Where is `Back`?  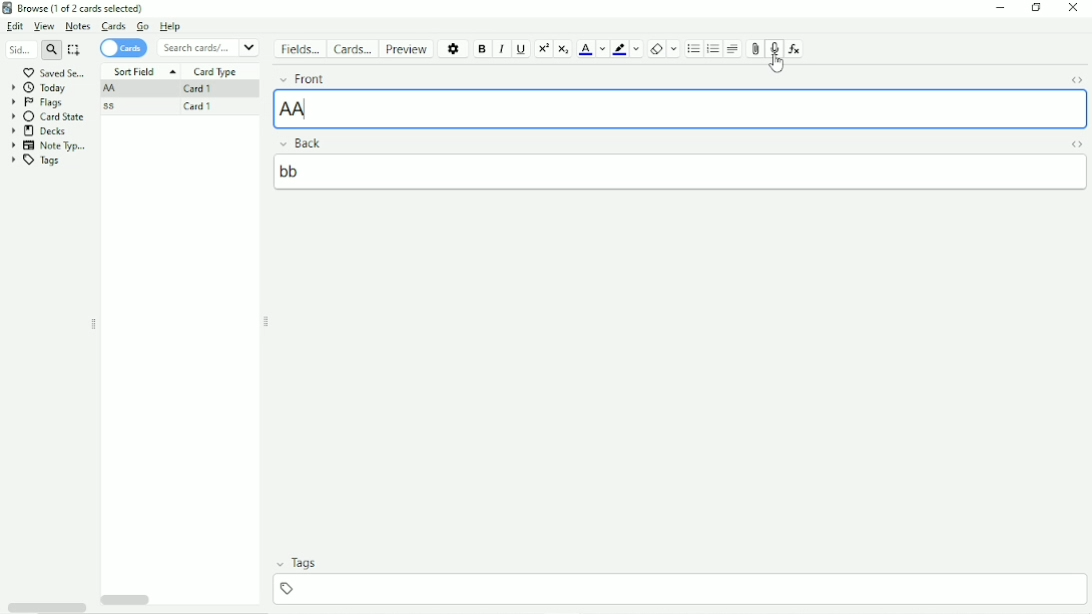 Back is located at coordinates (306, 143).